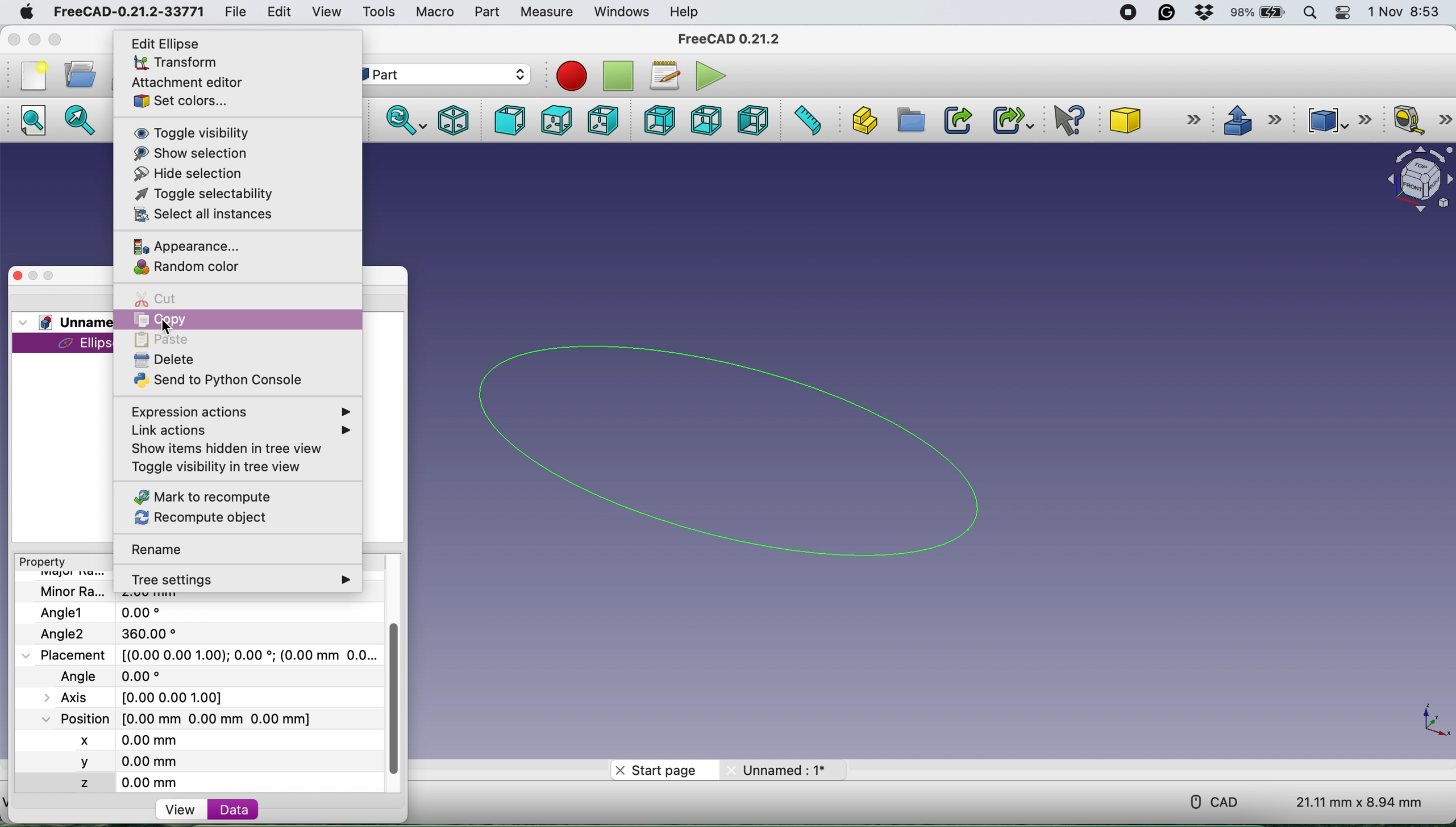 The width and height of the screenshot is (1456, 827). What do you see at coordinates (53, 40) in the screenshot?
I see `maximise` at bounding box center [53, 40].